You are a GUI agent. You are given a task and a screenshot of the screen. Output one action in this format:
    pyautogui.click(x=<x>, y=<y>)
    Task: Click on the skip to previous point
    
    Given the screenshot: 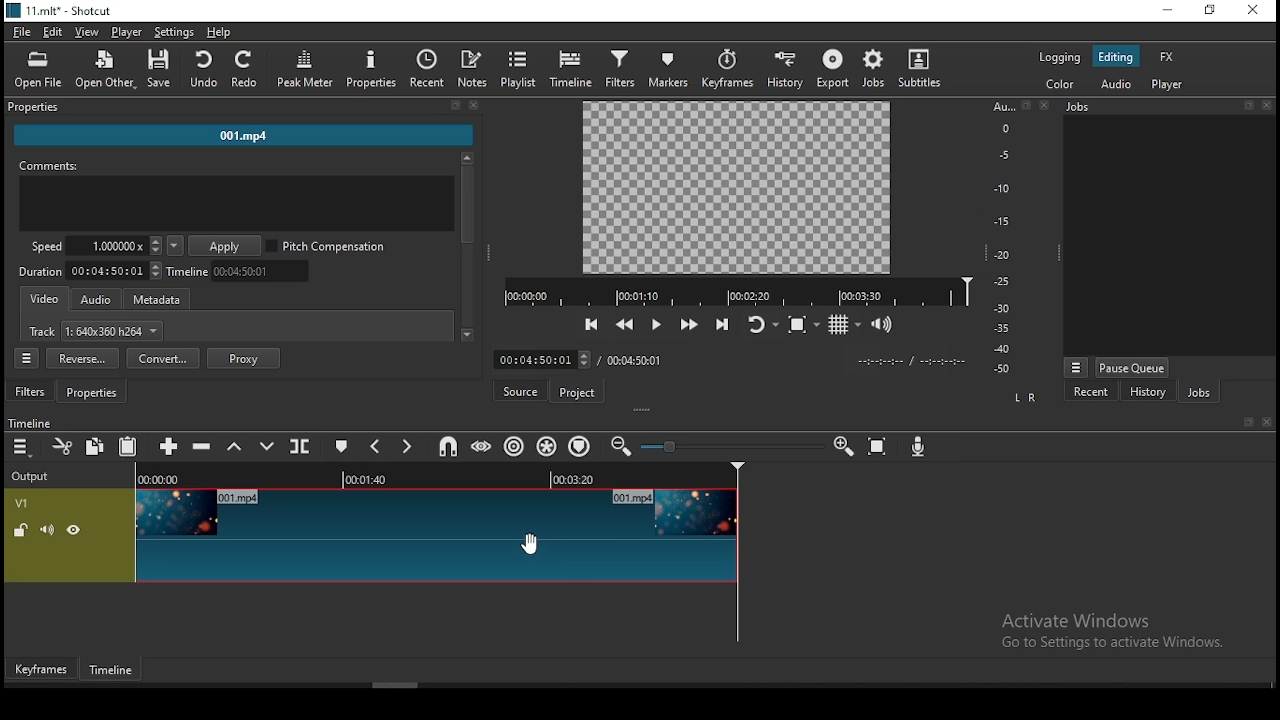 What is the action you would take?
    pyautogui.click(x=589, y=323)
    